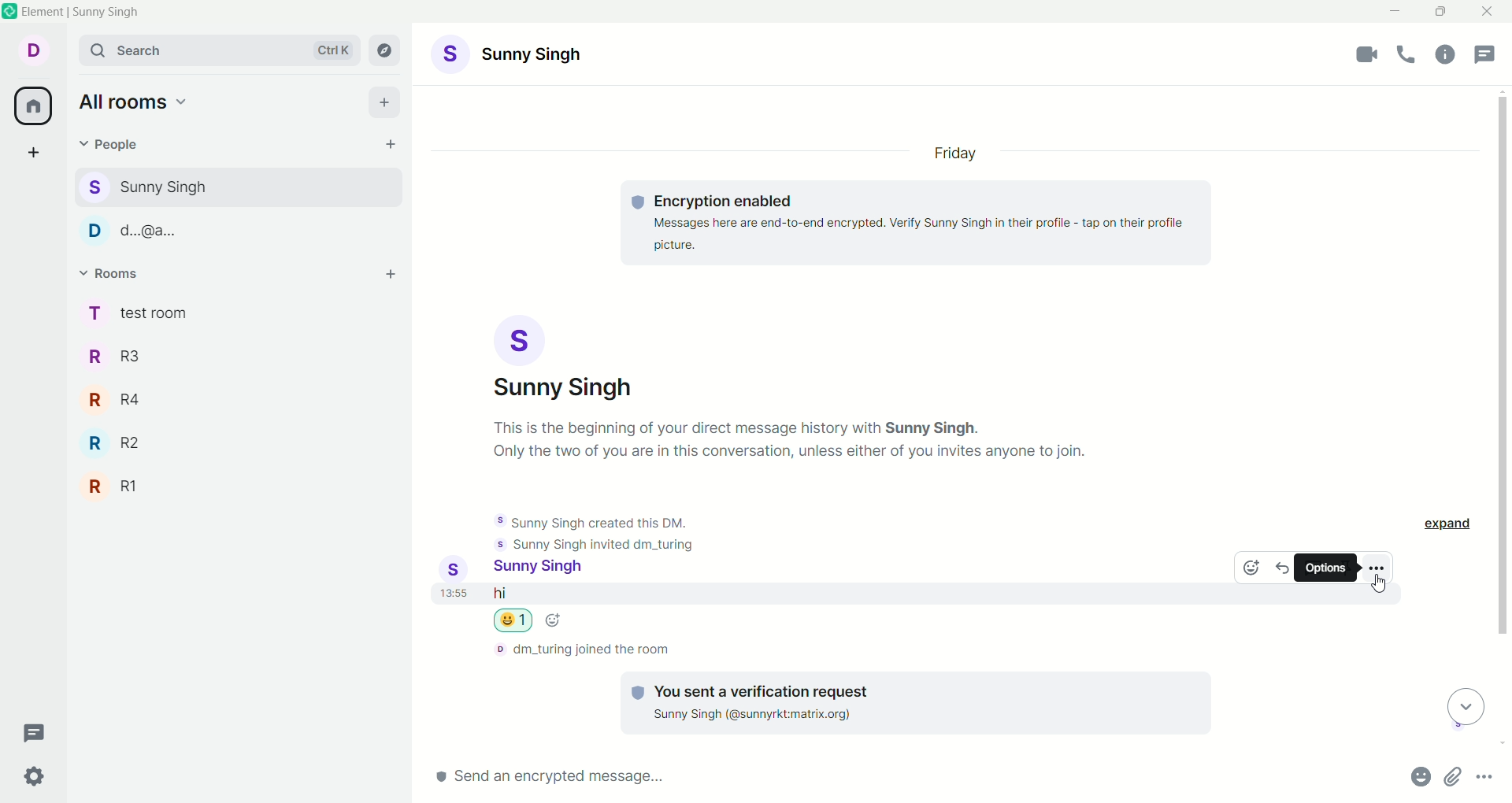 The image size is (1512, 803). I want to click on people, so click(170, 235).